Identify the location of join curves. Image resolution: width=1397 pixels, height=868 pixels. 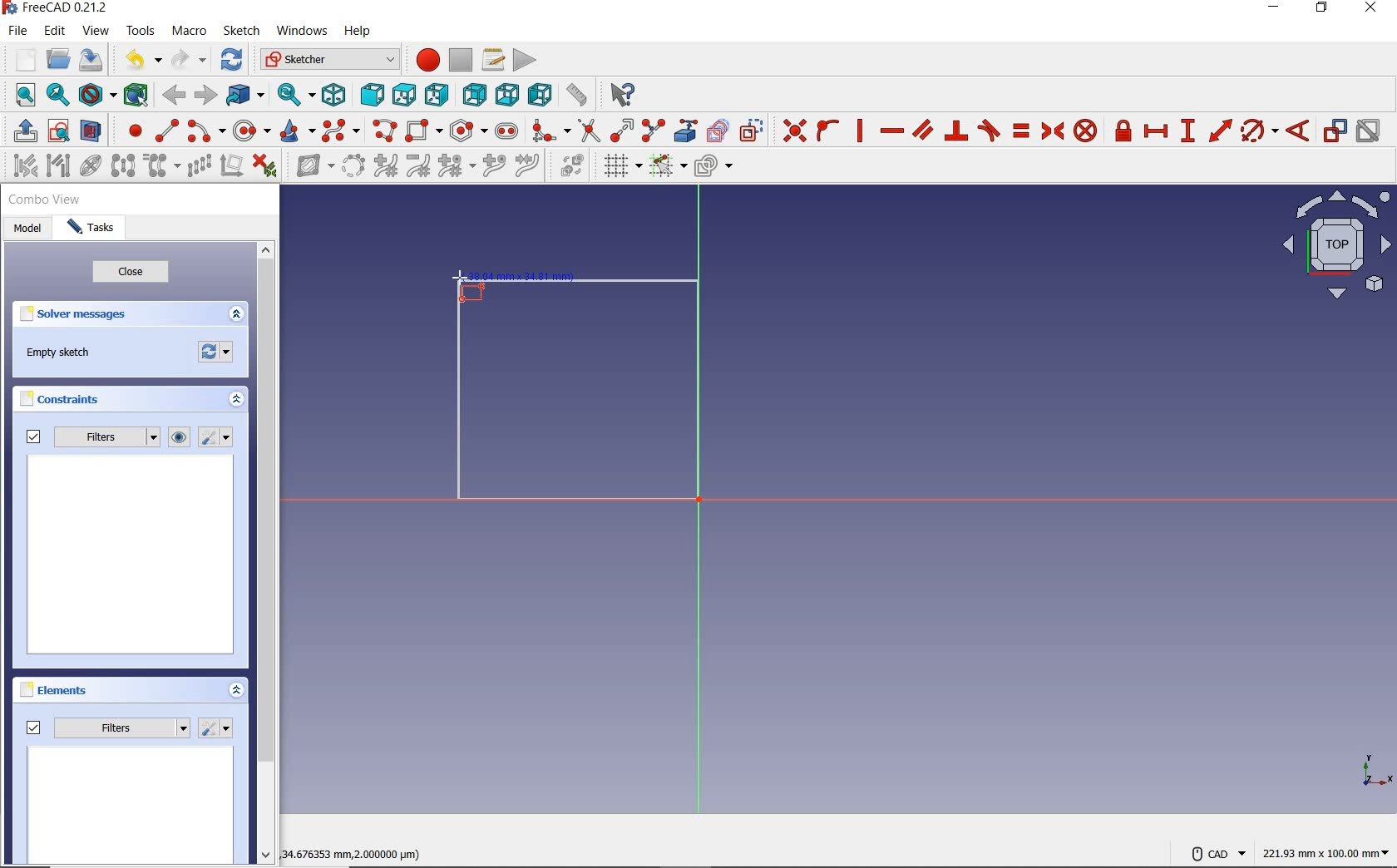
(528, 167).